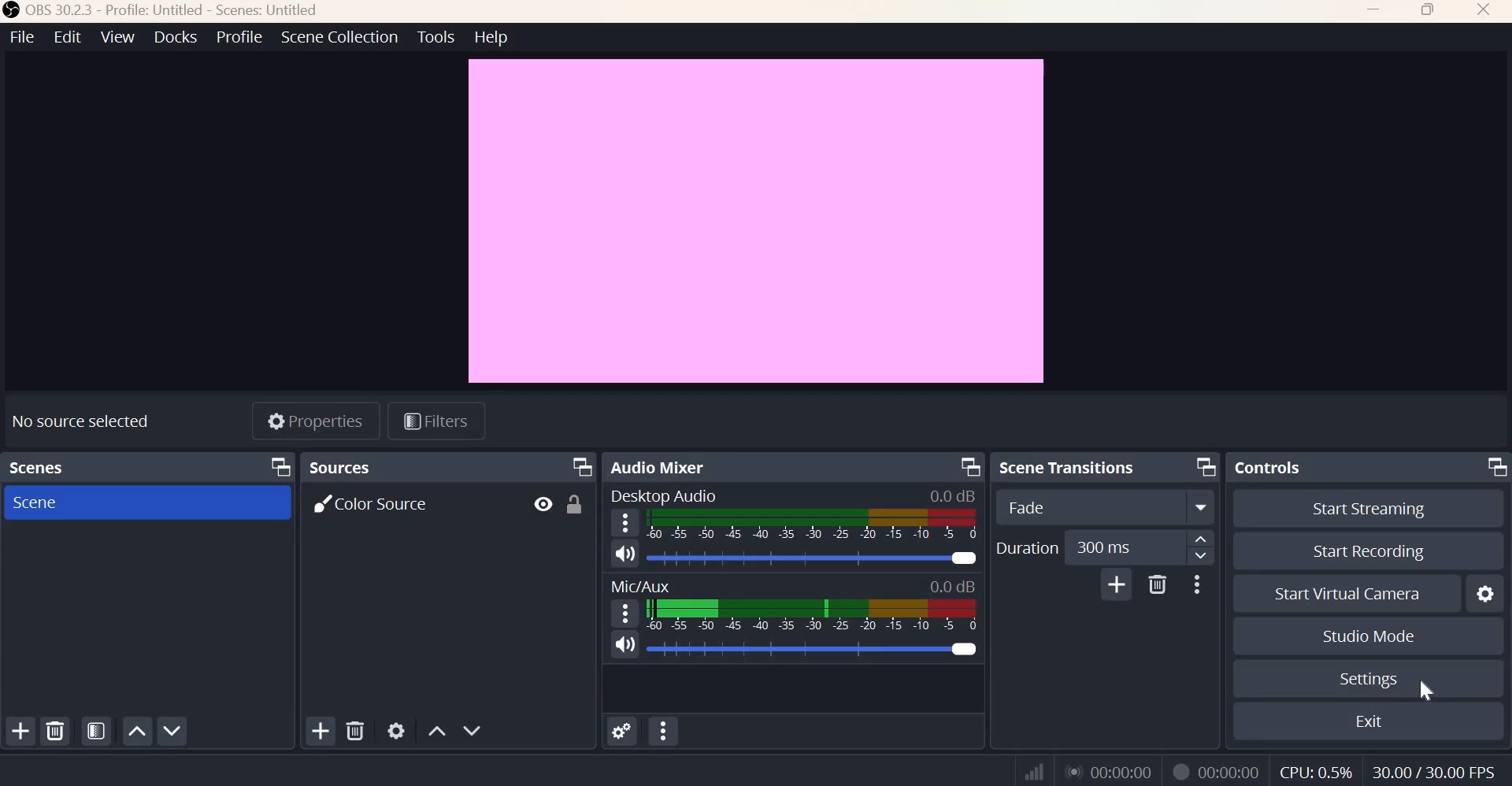 The height and width of the screenshot is (786, 1512). Describe the element at coordinates (1158, 585) in the screenshot. I see `Delete Transition` at that location.